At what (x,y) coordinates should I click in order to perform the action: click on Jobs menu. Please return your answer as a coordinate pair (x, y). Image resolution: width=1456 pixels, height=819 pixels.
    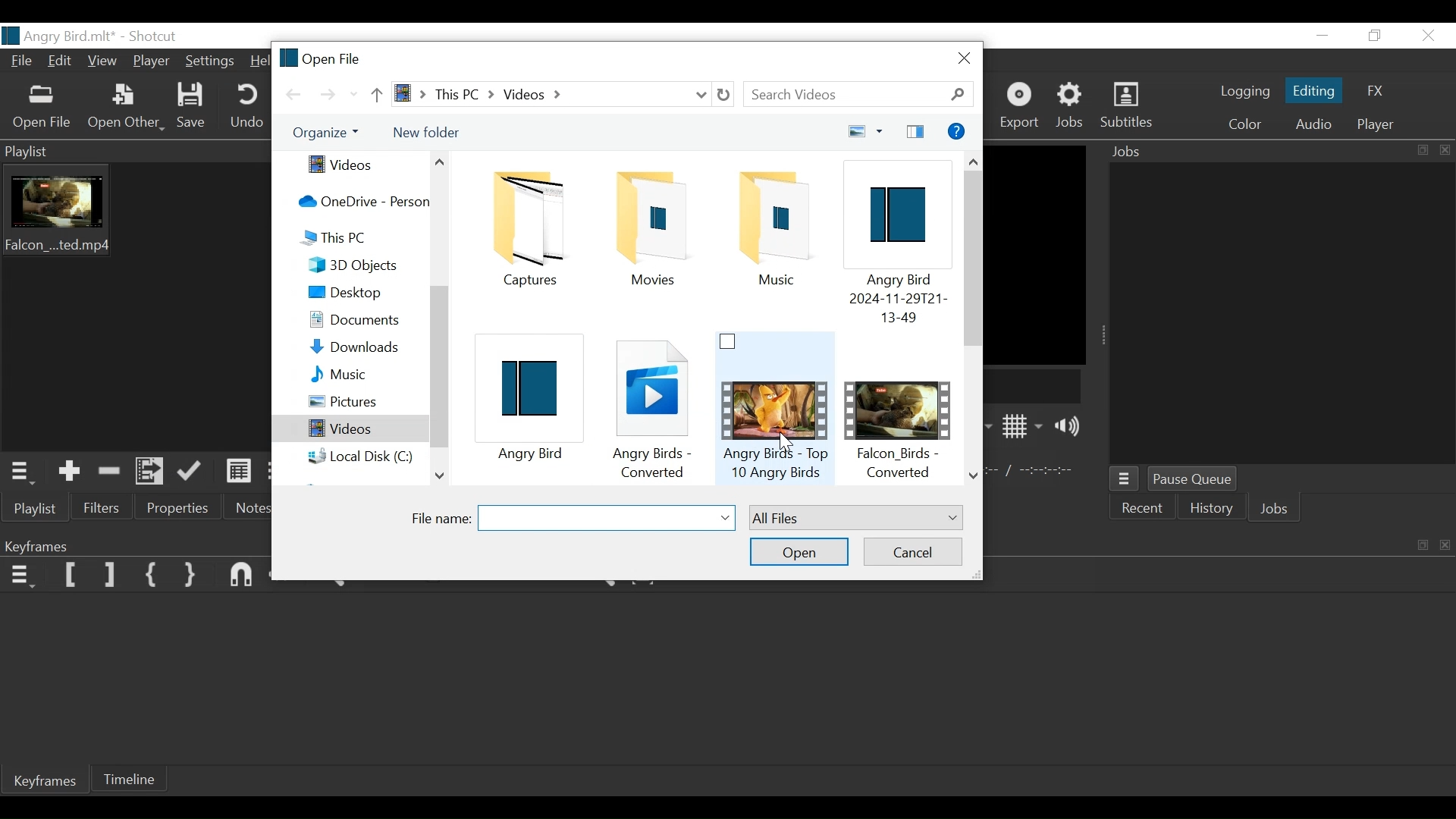
    Looking at the image, I should click on (1125, 479).